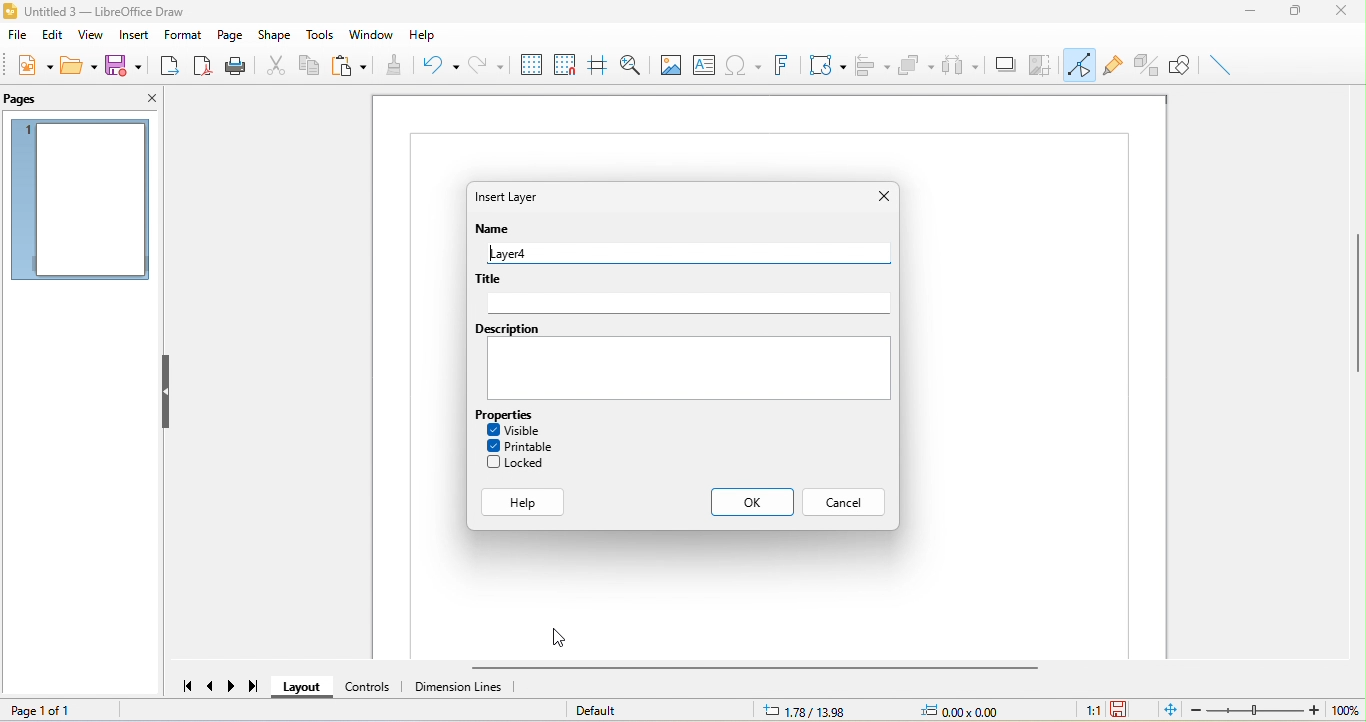 Image resolution: width=1366 pixels, height=722 pixels. I want to click on Insert layer, so click(508, 198).